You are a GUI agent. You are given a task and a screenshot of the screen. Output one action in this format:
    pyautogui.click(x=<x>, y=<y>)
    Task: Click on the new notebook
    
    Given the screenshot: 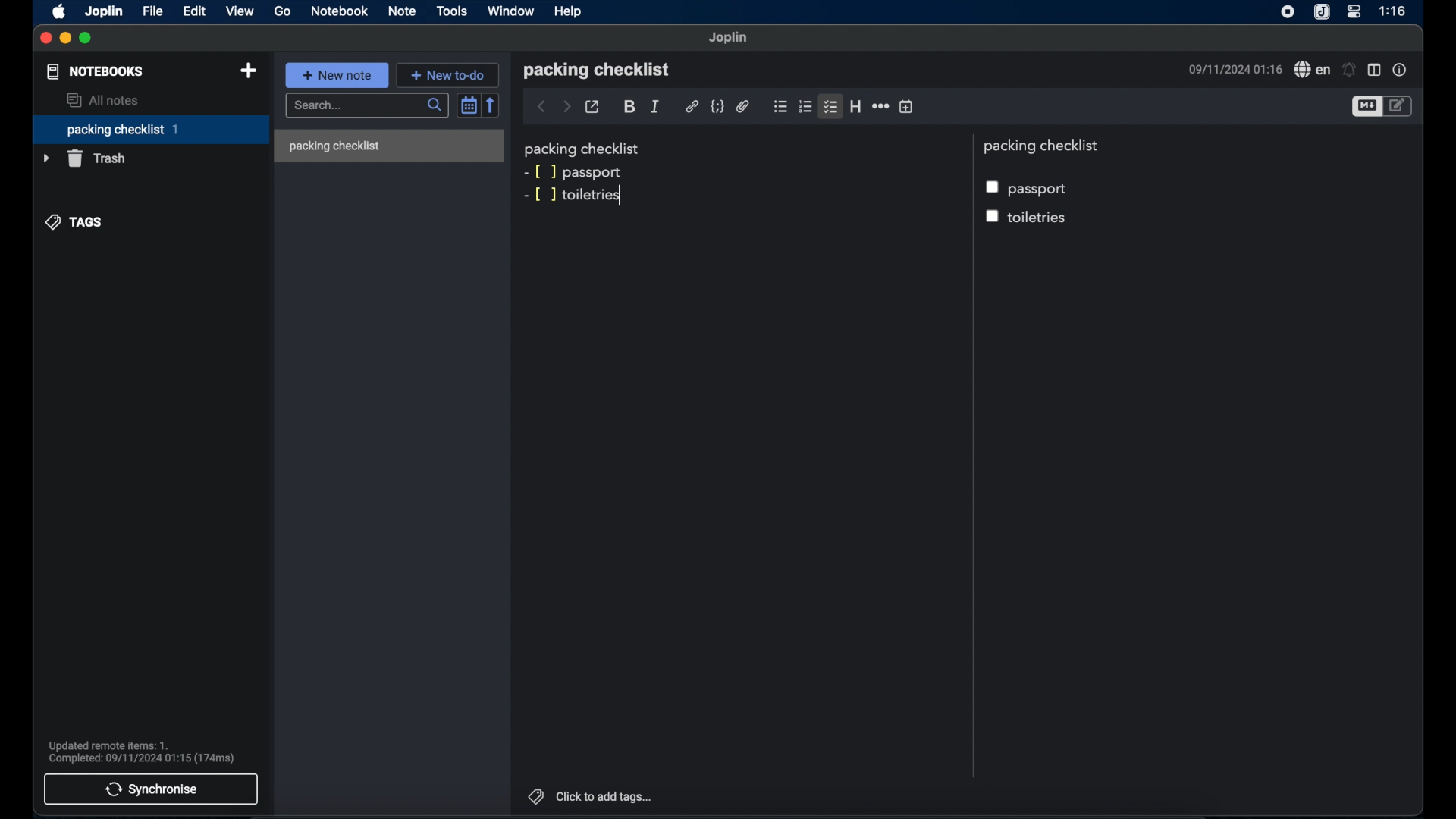 What is the action you would take?
    pyautogui.click(x=248, y=71)
    